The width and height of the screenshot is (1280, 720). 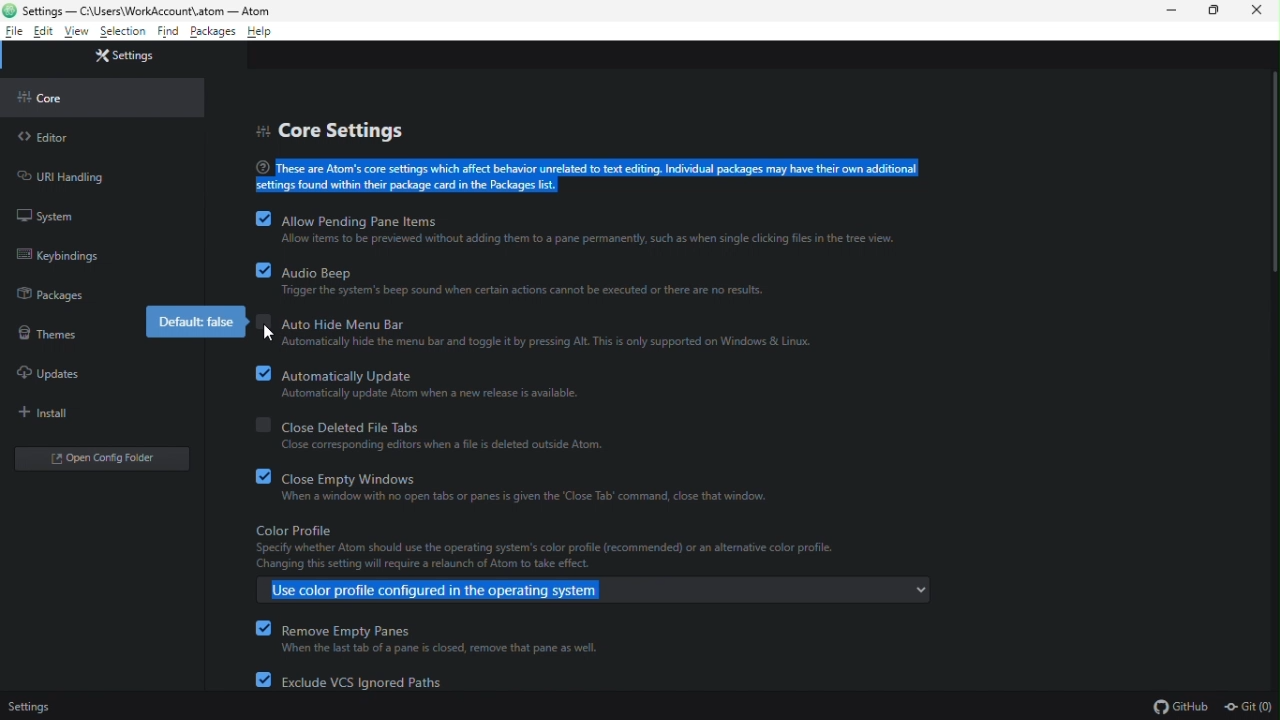 I want to click on Git, so click(x=1251, y=704).